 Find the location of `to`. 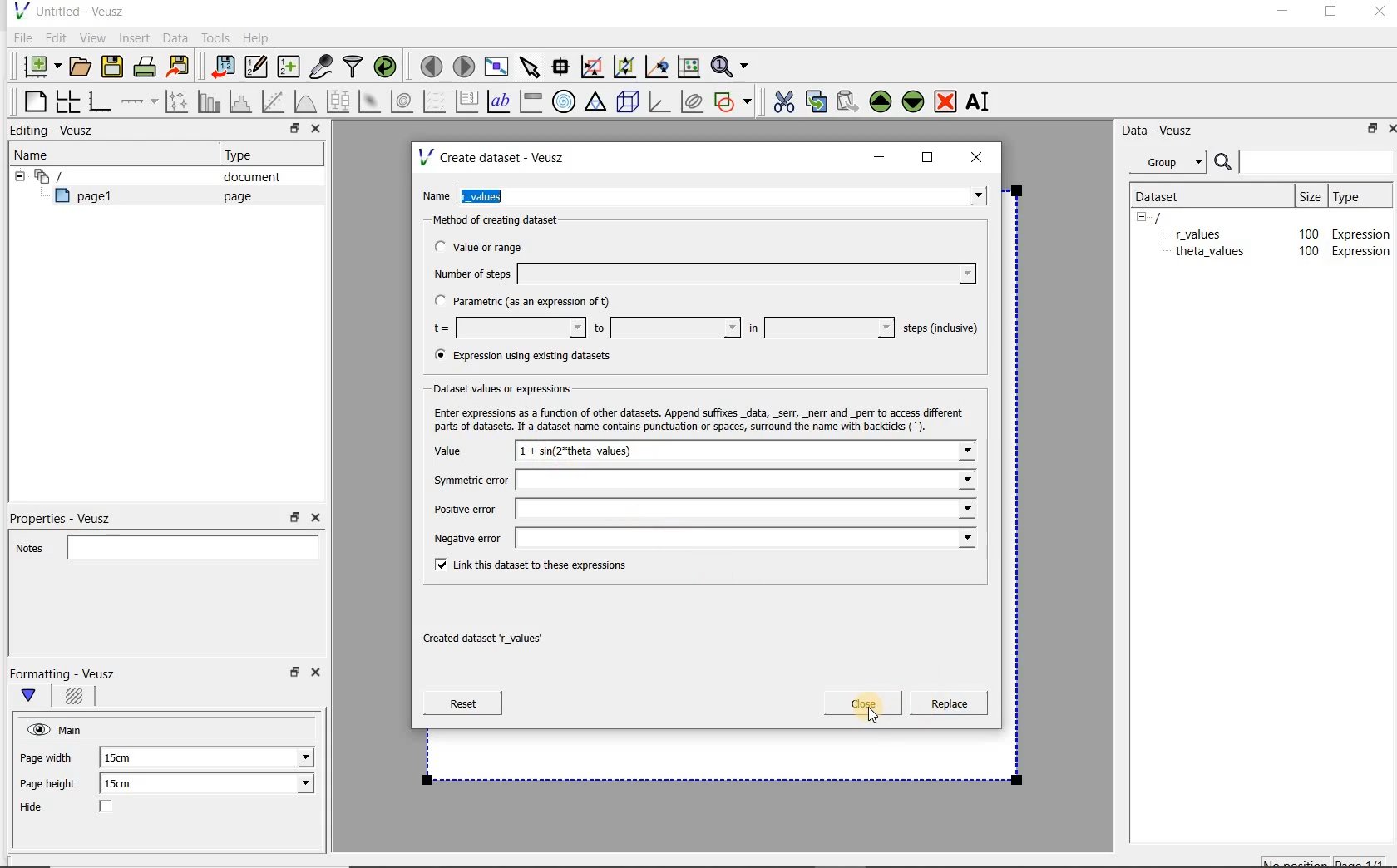

to is located at coordinates (665, 328).